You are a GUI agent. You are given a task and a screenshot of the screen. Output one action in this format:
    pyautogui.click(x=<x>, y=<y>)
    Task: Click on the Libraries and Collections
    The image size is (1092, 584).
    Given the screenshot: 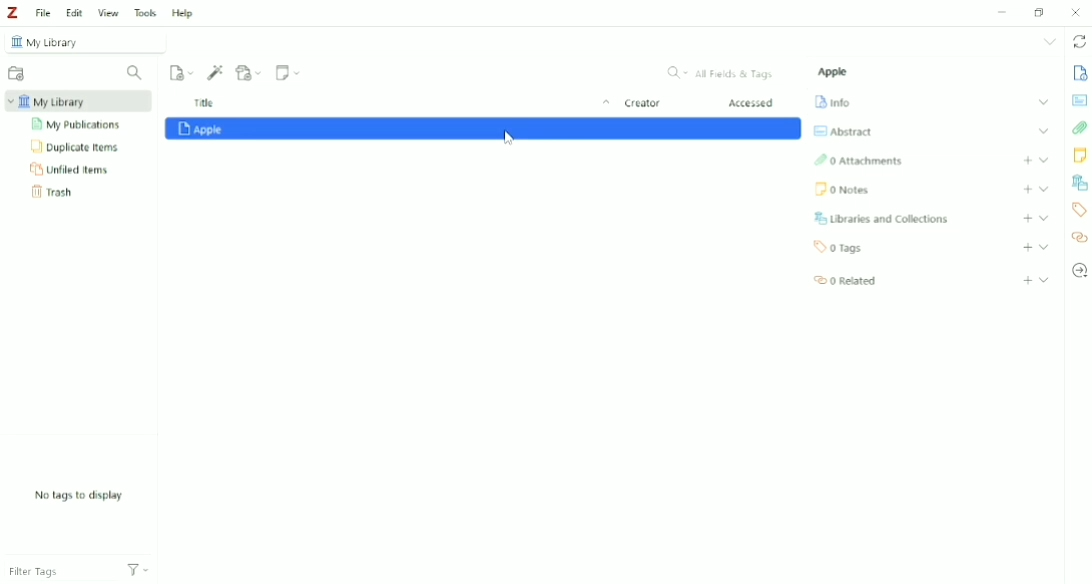 What is the action you would take?
    pyautogui.click(x=884, y=218)
    